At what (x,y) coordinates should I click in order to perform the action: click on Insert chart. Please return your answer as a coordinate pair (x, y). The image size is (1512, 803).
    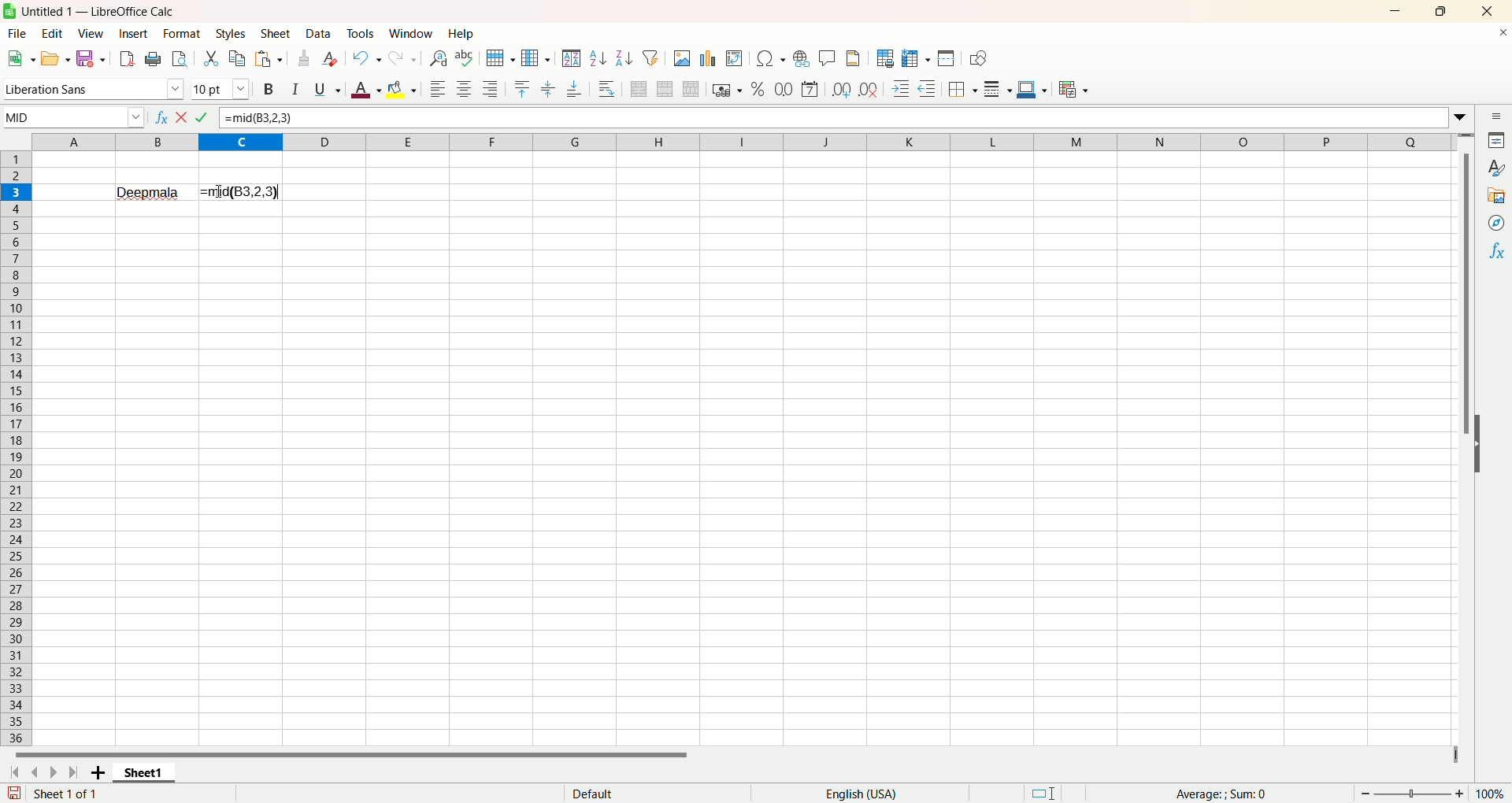
    Looking at the image, I should click on (710, 59).